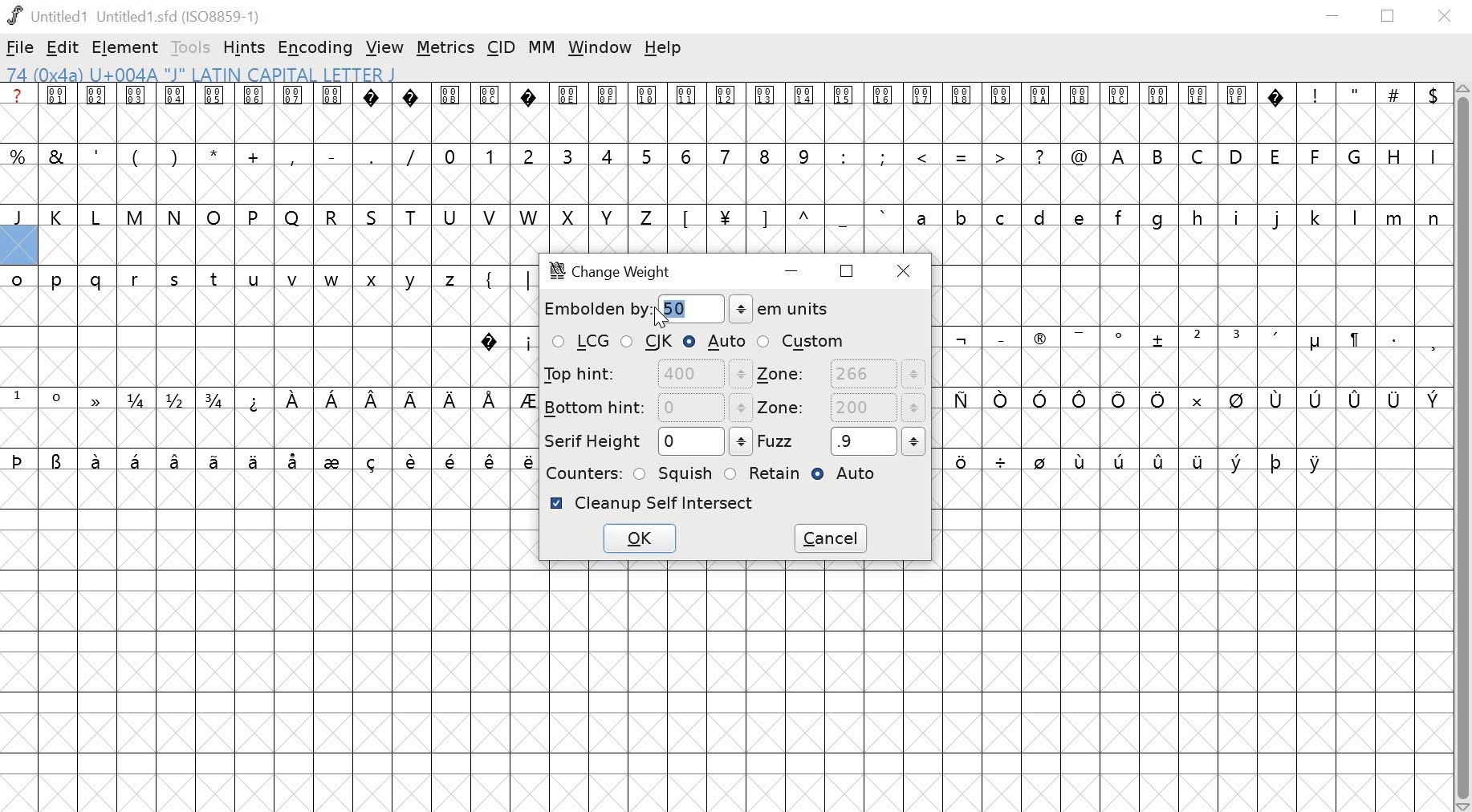  What do you see at coordinates (315, 48) in the screenshot?
I see `ENCODING` at bounding box center [315, 48].